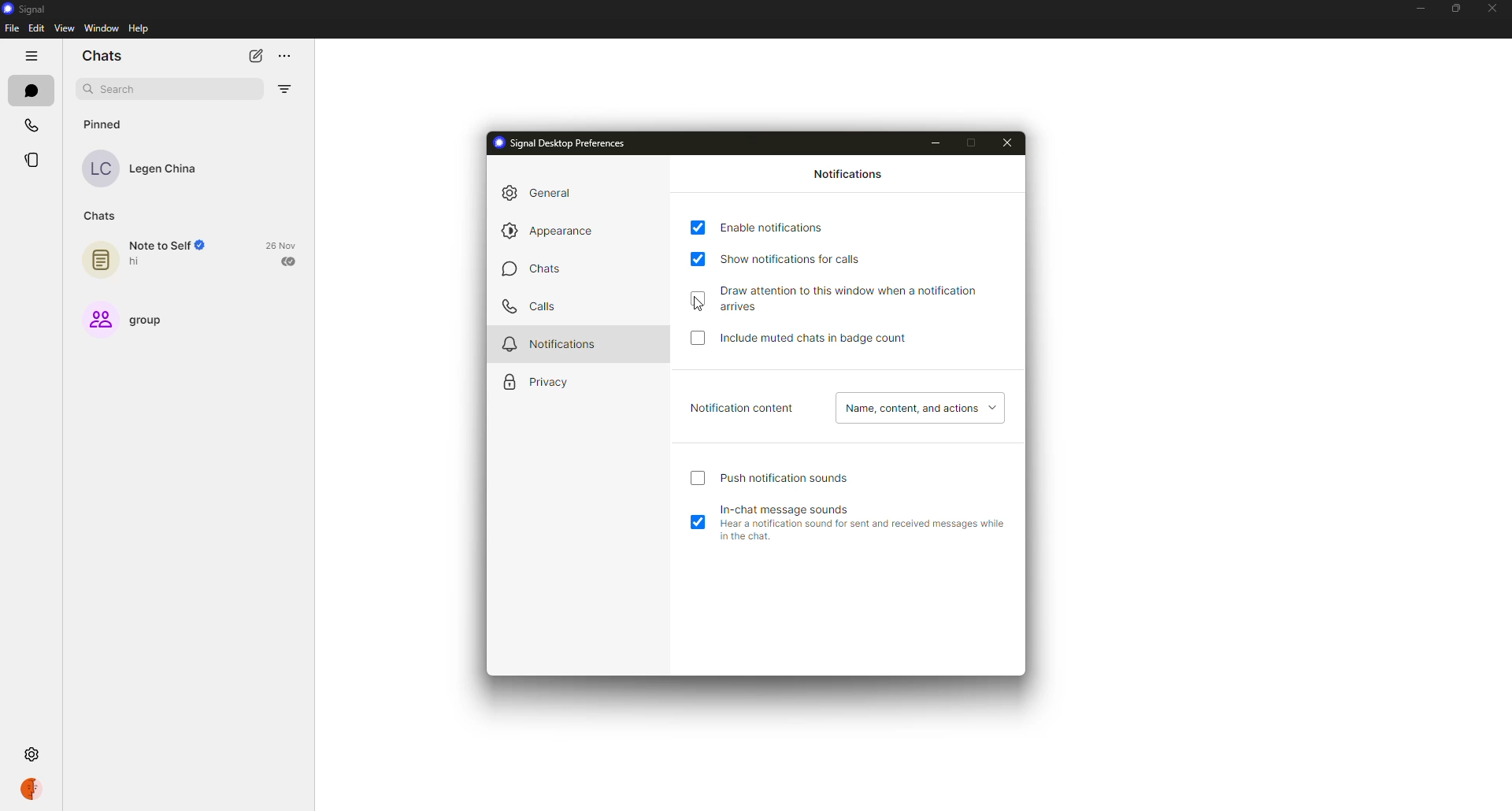 The width and height of the screenshot is (1512, 811). I want to click on chats, so click(101, 57).